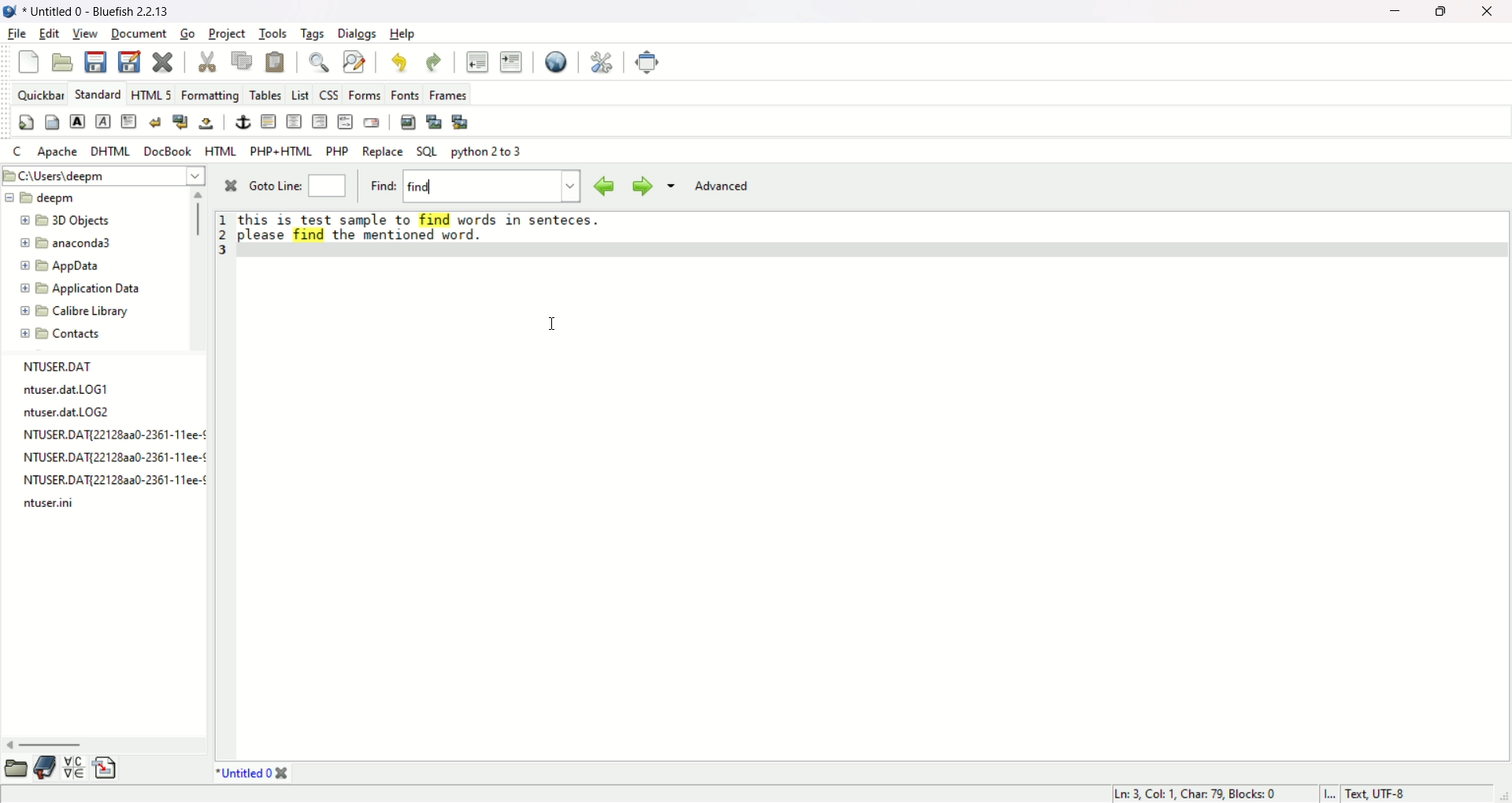 Image resolution: width=1512 pixels, height=803 pixels. I want to click on break, so click(154, 121).